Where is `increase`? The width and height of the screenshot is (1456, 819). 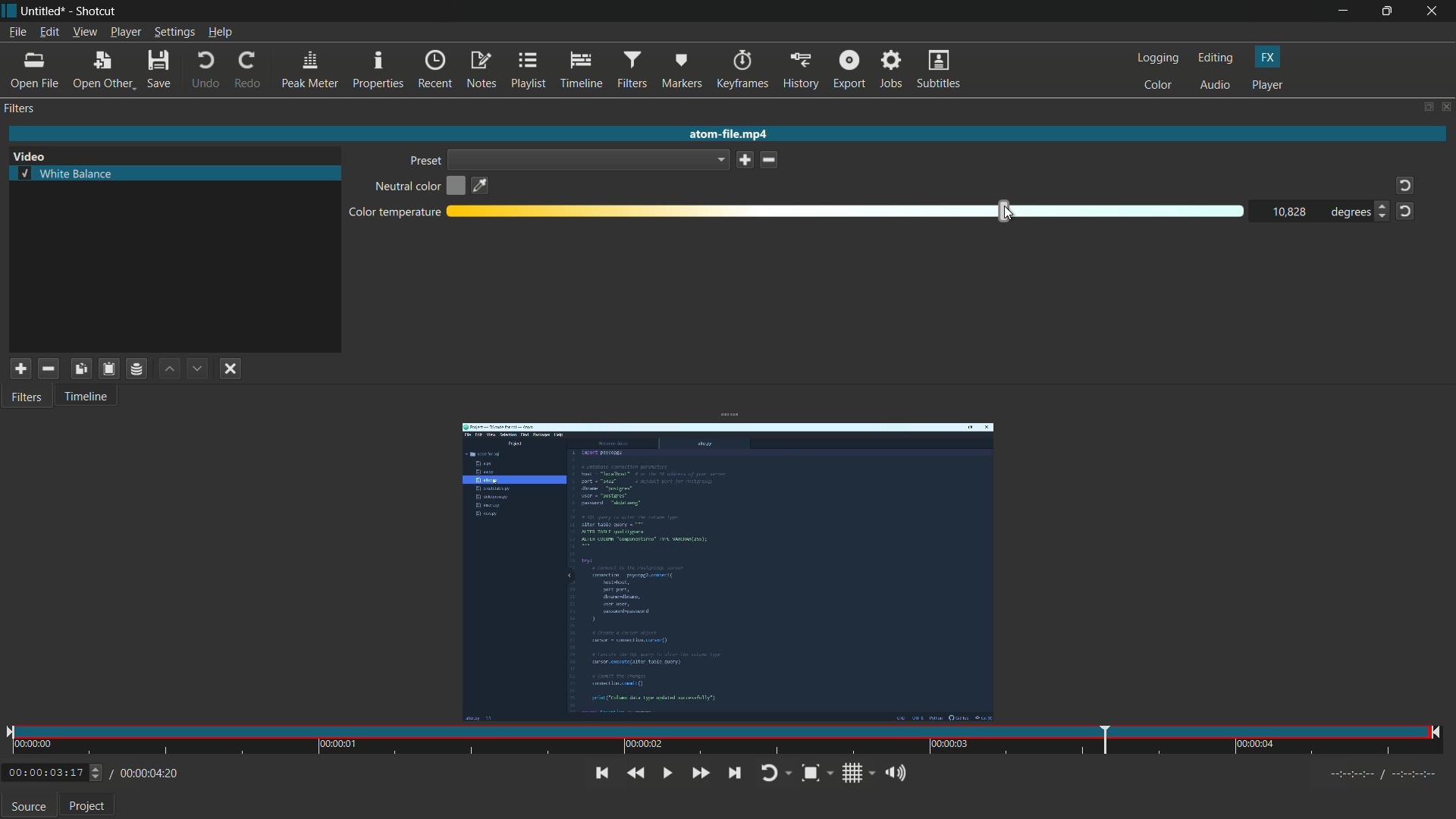 increase is located at coordinates (1380, 206).